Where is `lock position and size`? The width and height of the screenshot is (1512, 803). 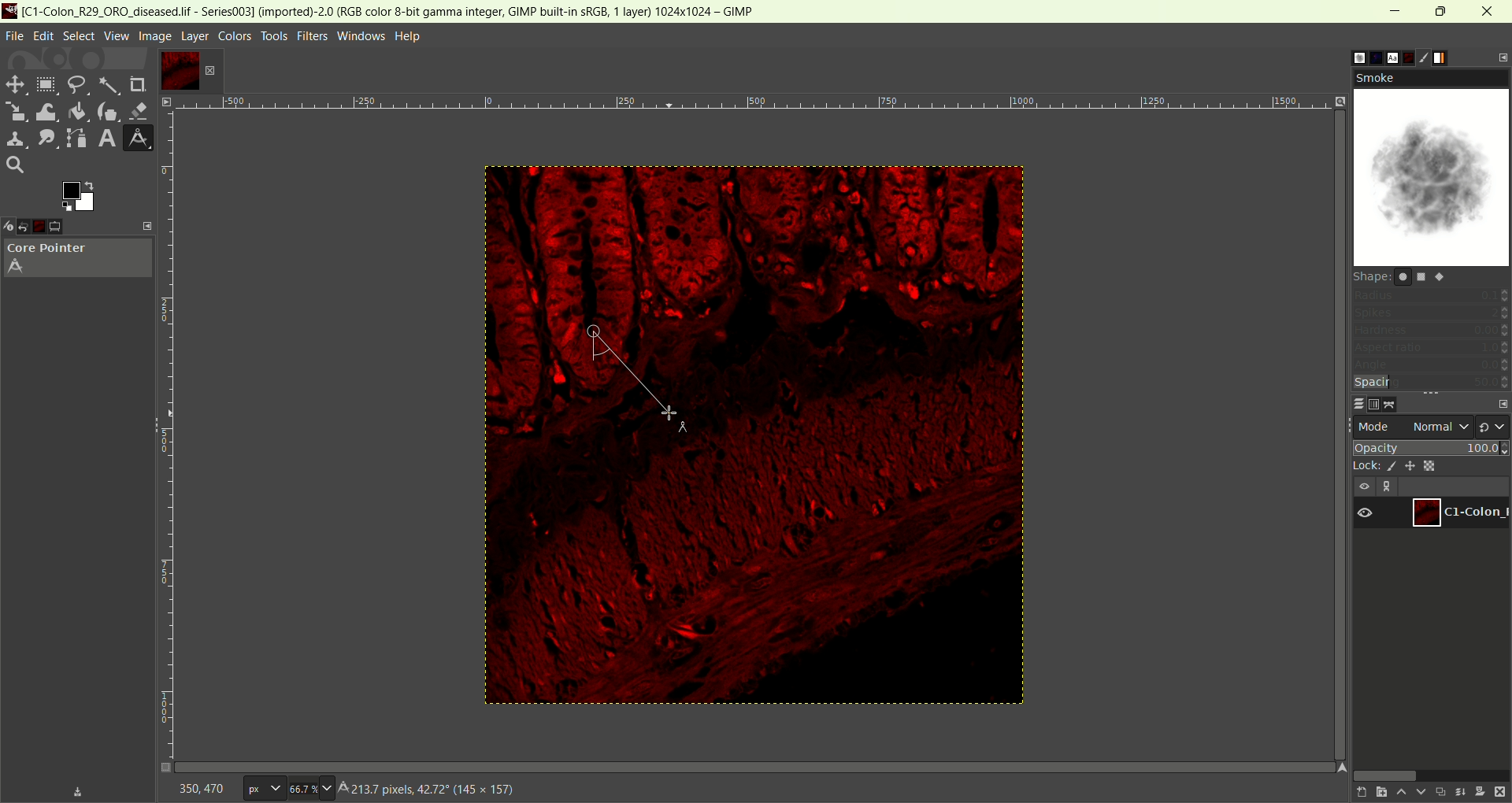 lock position and size is located at coordinates (1409, 465).